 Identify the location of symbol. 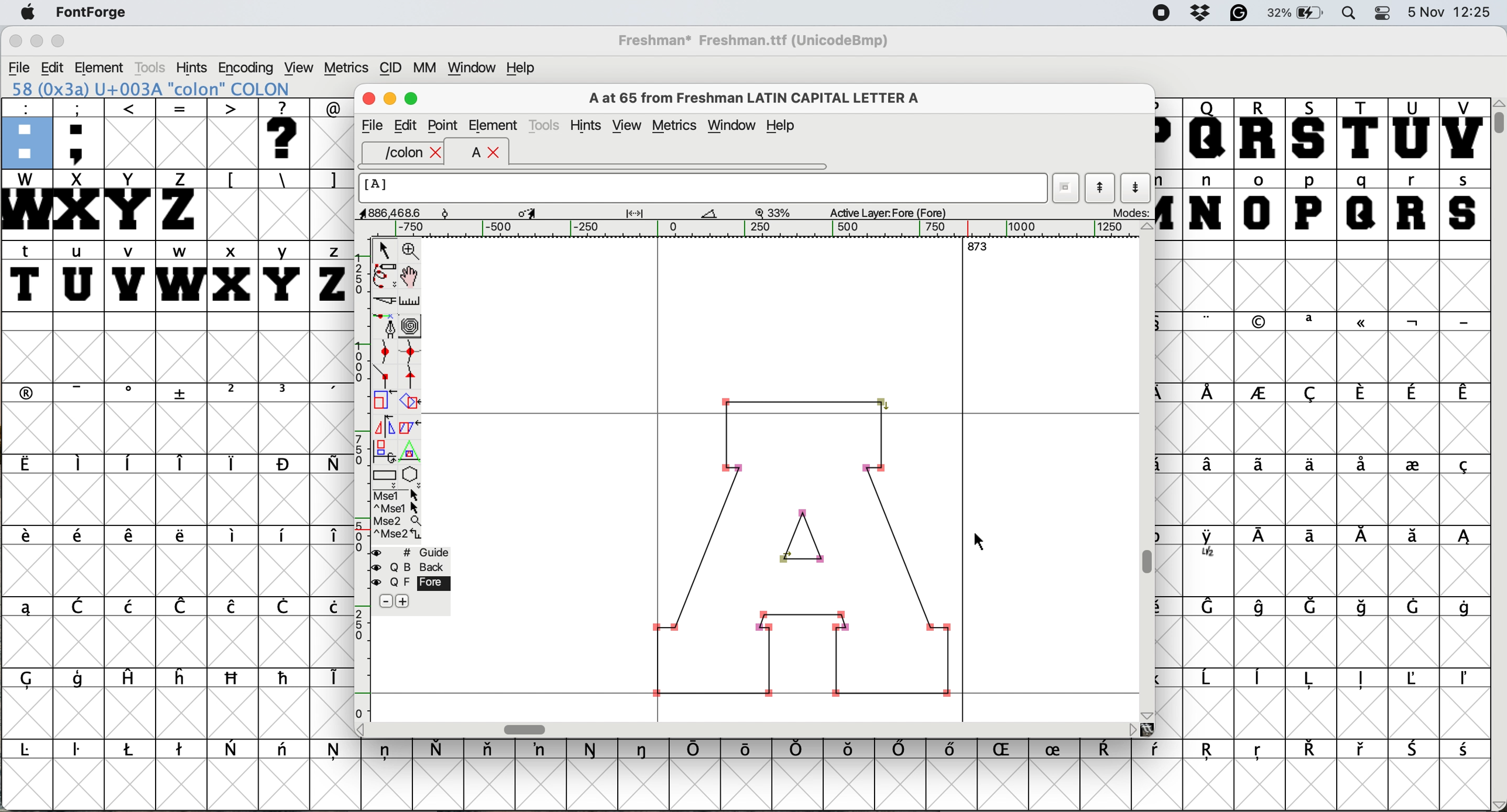
(183, 393).